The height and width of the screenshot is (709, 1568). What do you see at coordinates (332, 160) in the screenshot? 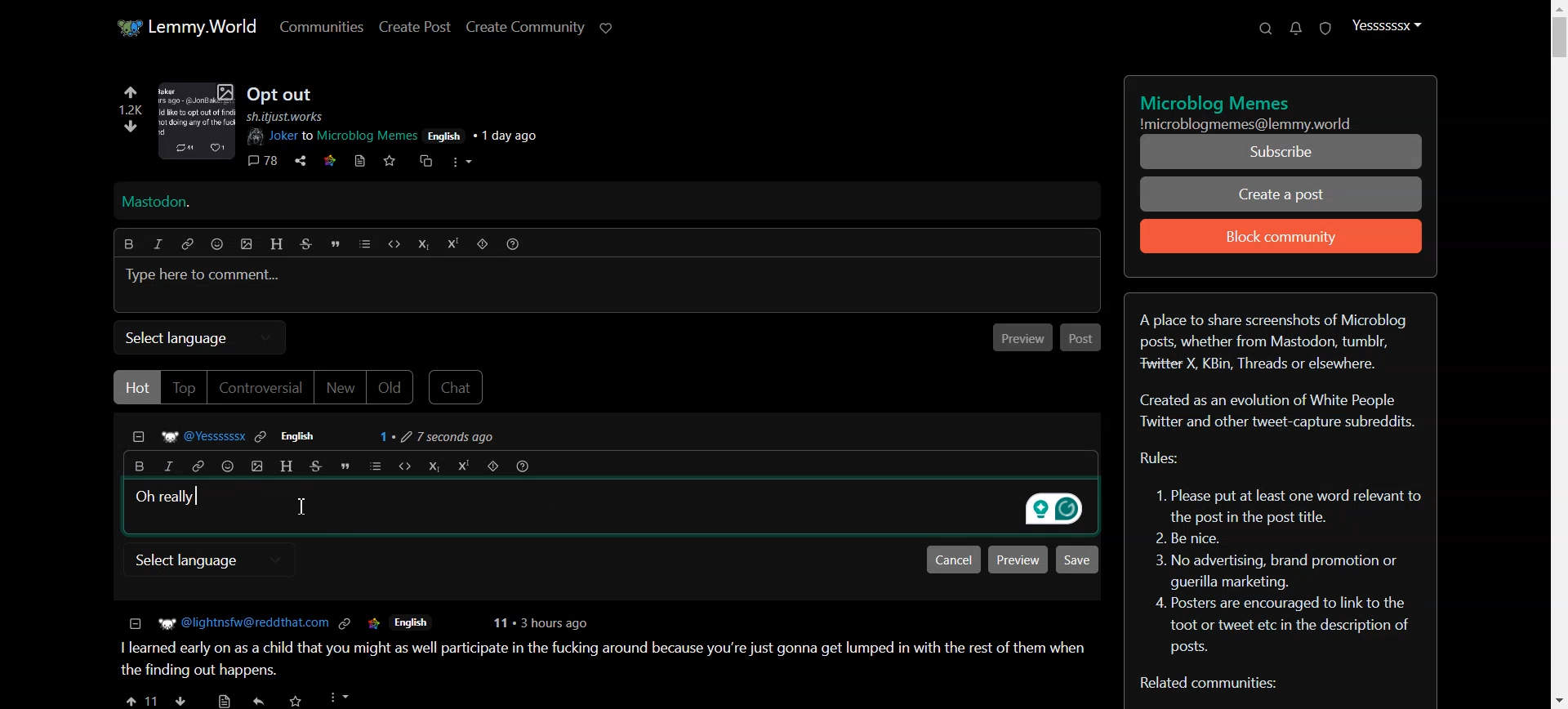
I see `link` at bounding box center [332, 160].